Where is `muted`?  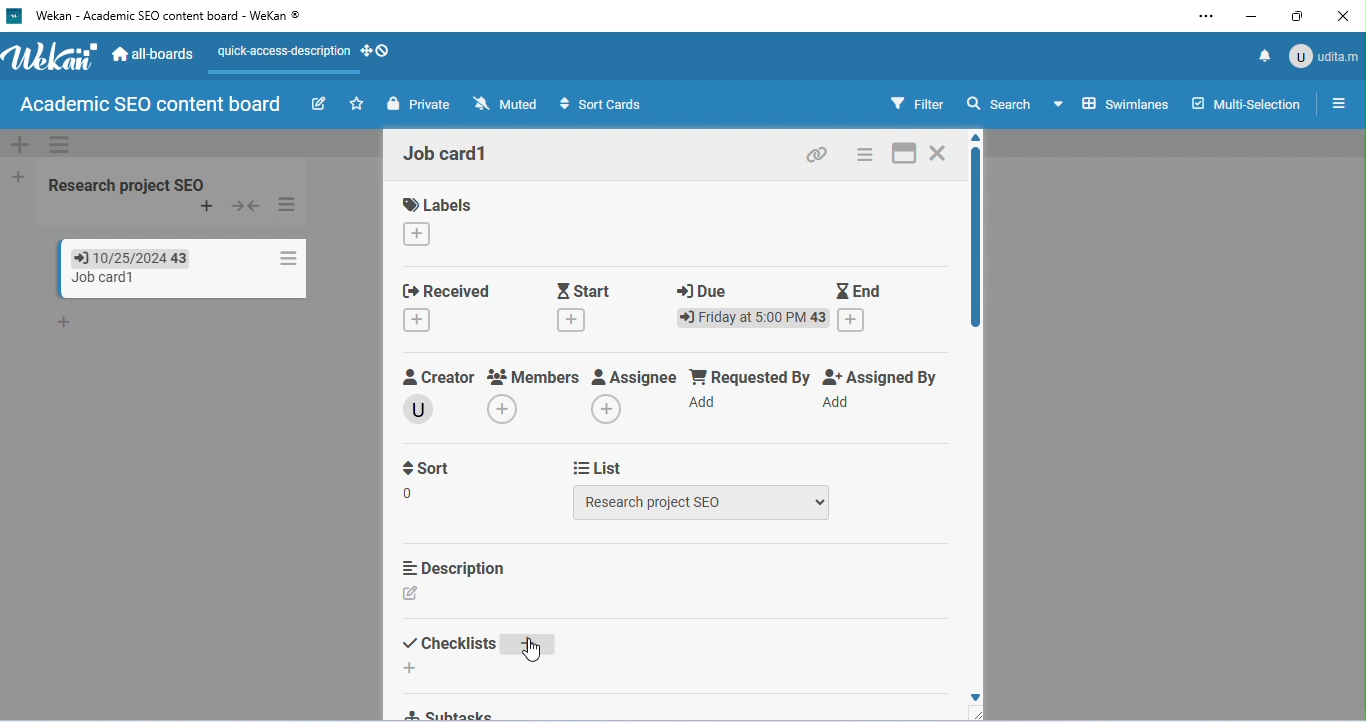
muted is located at coordinates (504, 103).